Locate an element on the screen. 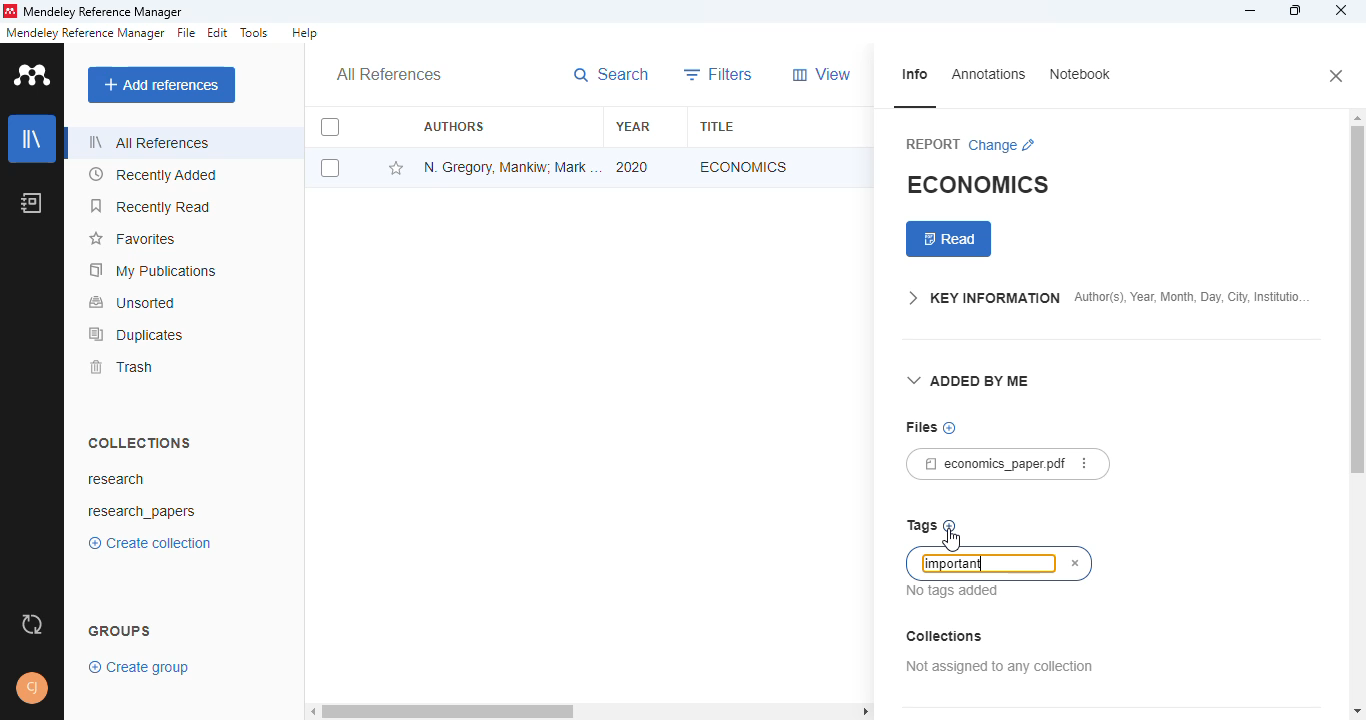 This screenshot has width=1366, height=720. mendeley reference manager is located at coordinates (85, 32).